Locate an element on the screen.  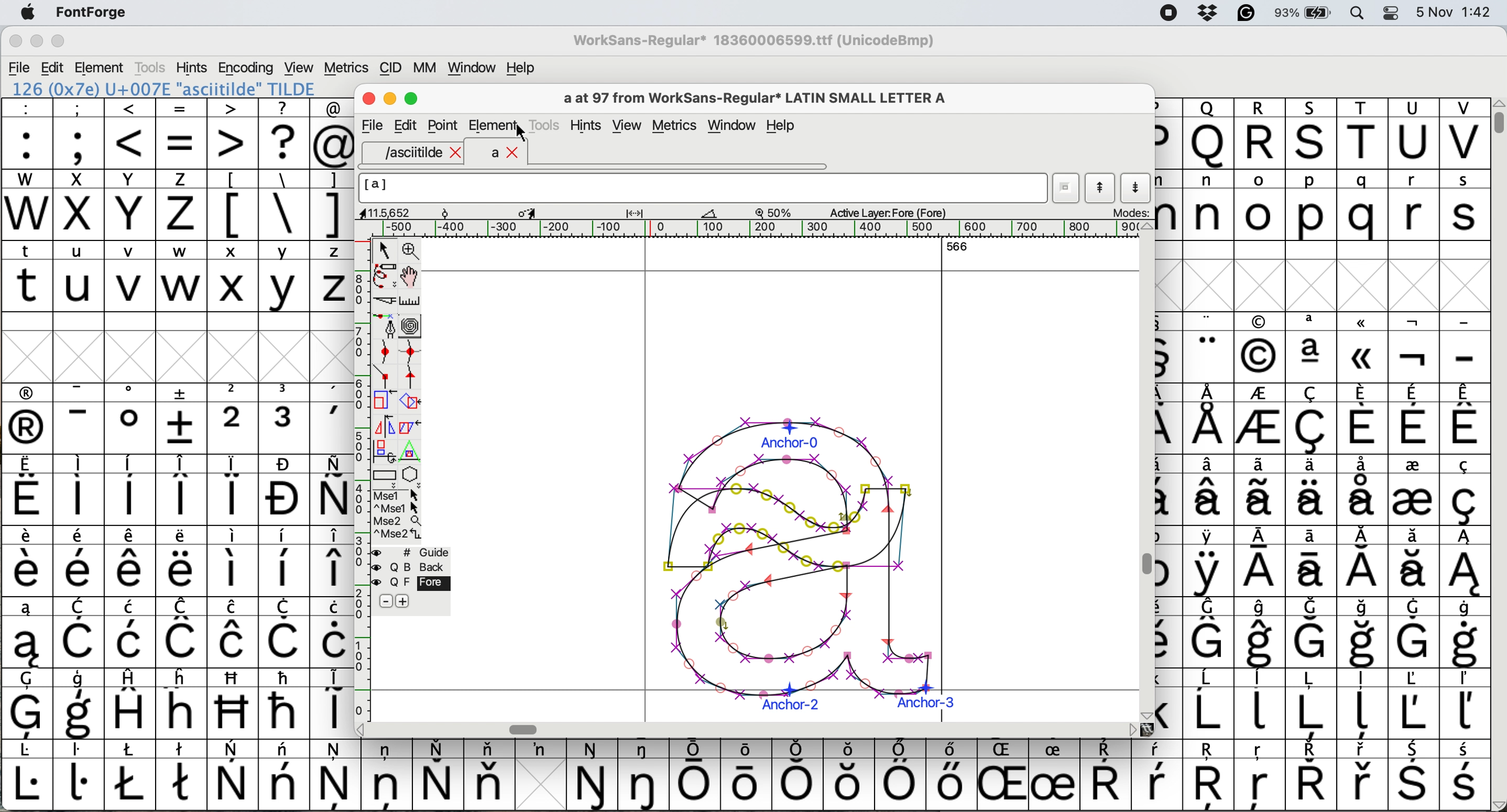
window is located at coordinates (734, 126).